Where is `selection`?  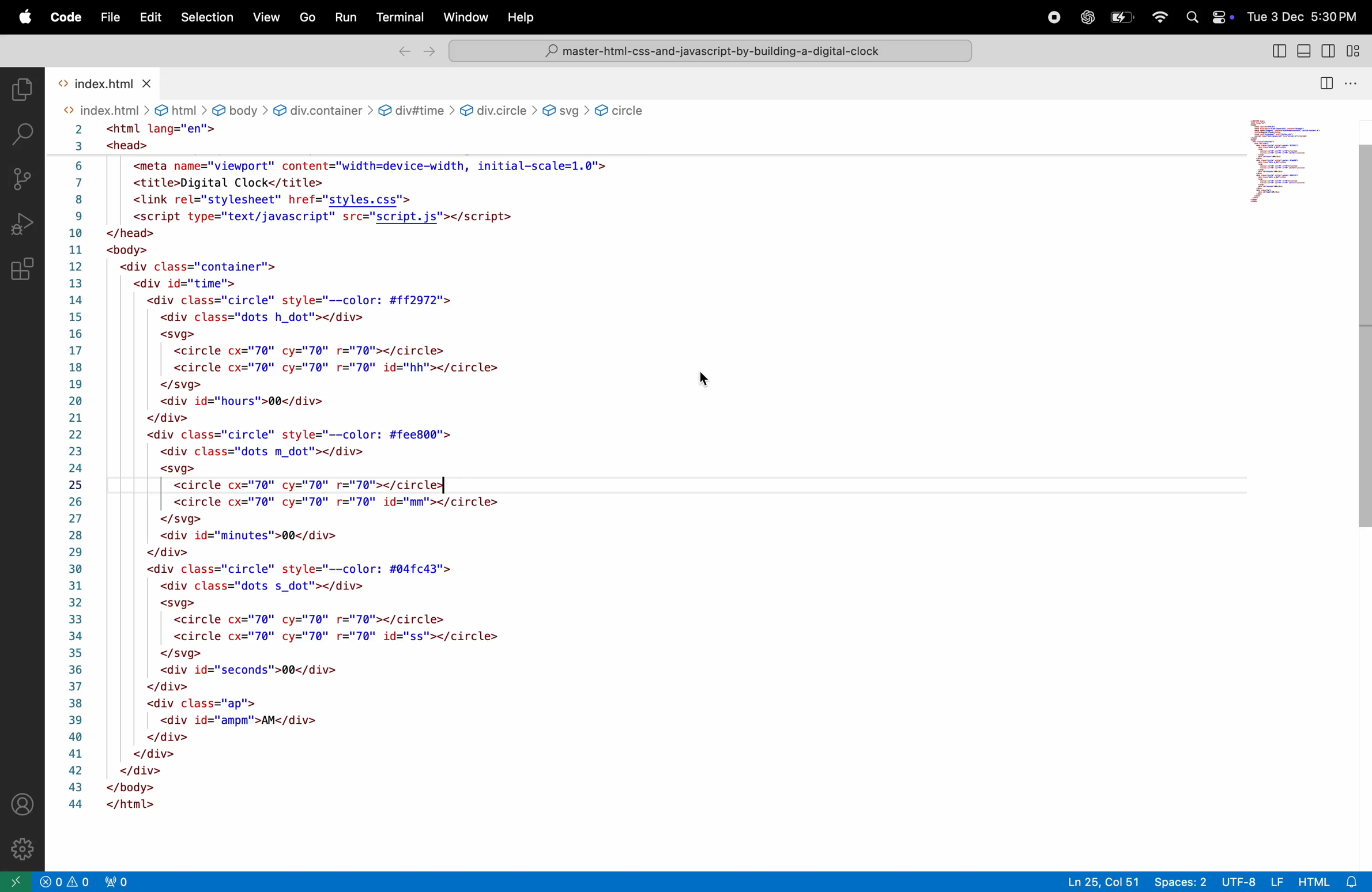
selection is located at coordinates (207, 16).